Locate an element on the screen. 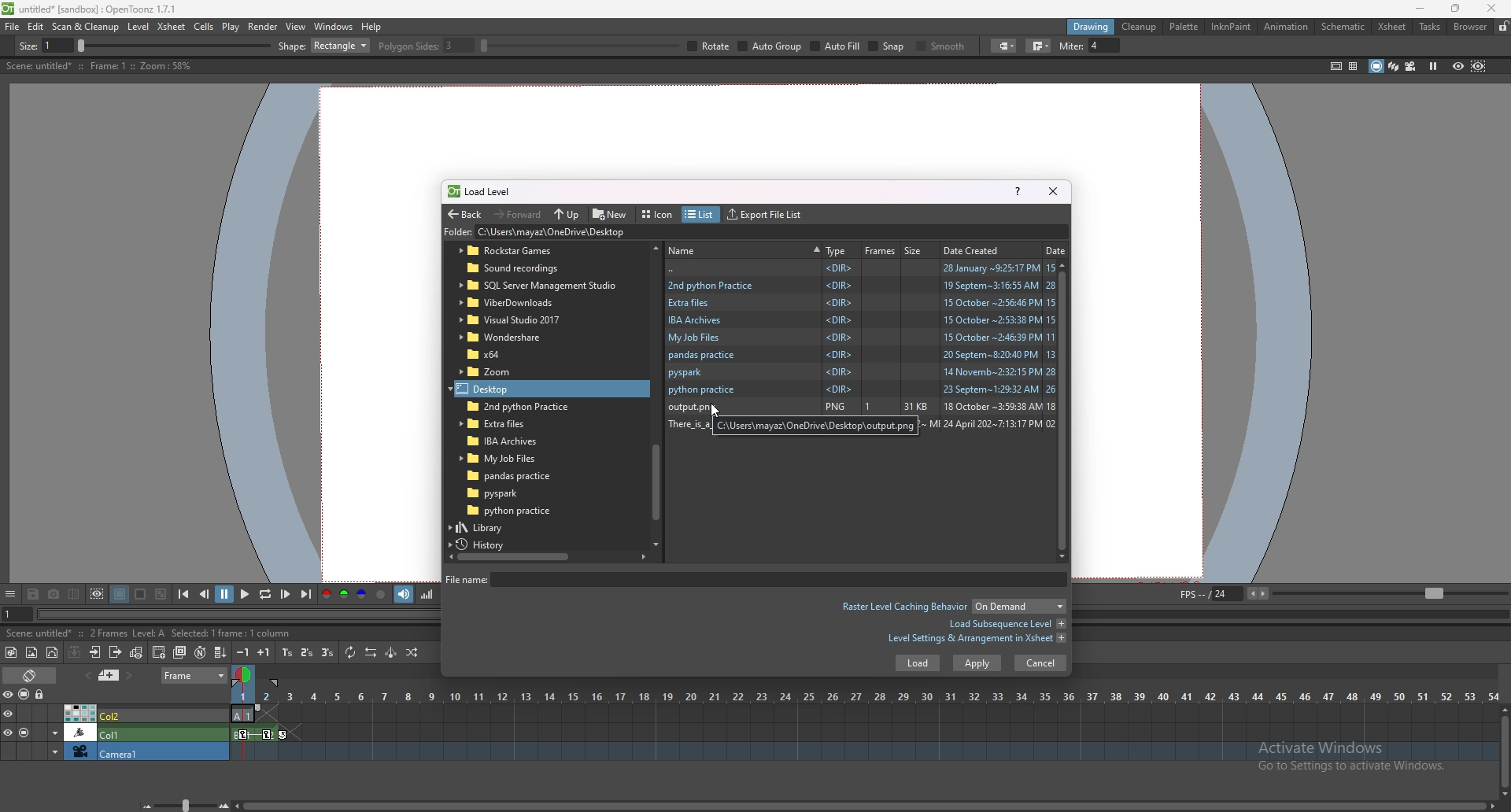  folder is located at coordinates (506, 423).